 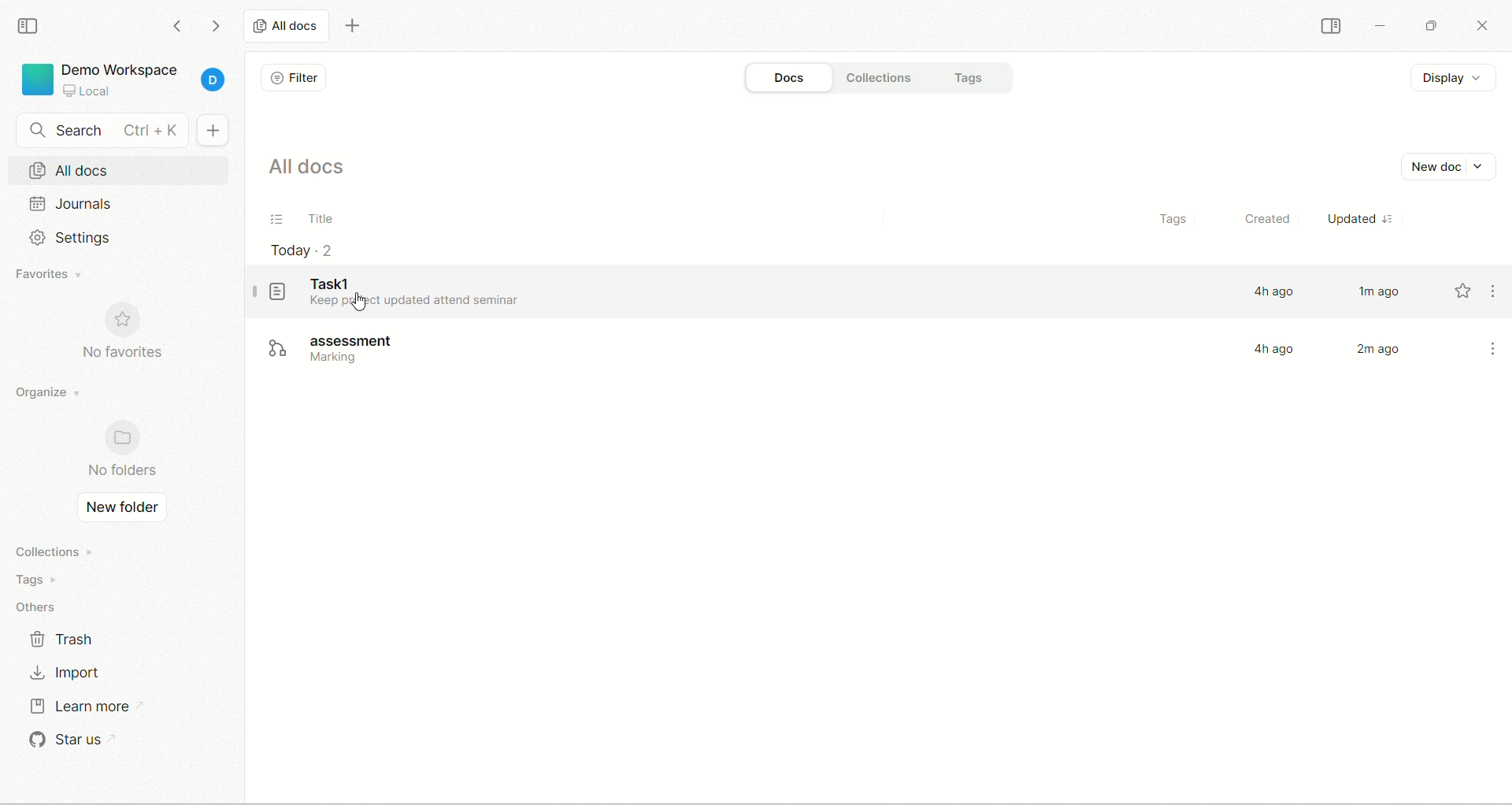 I want to click on project - Demo Workspace, so click(x=124, y=76).